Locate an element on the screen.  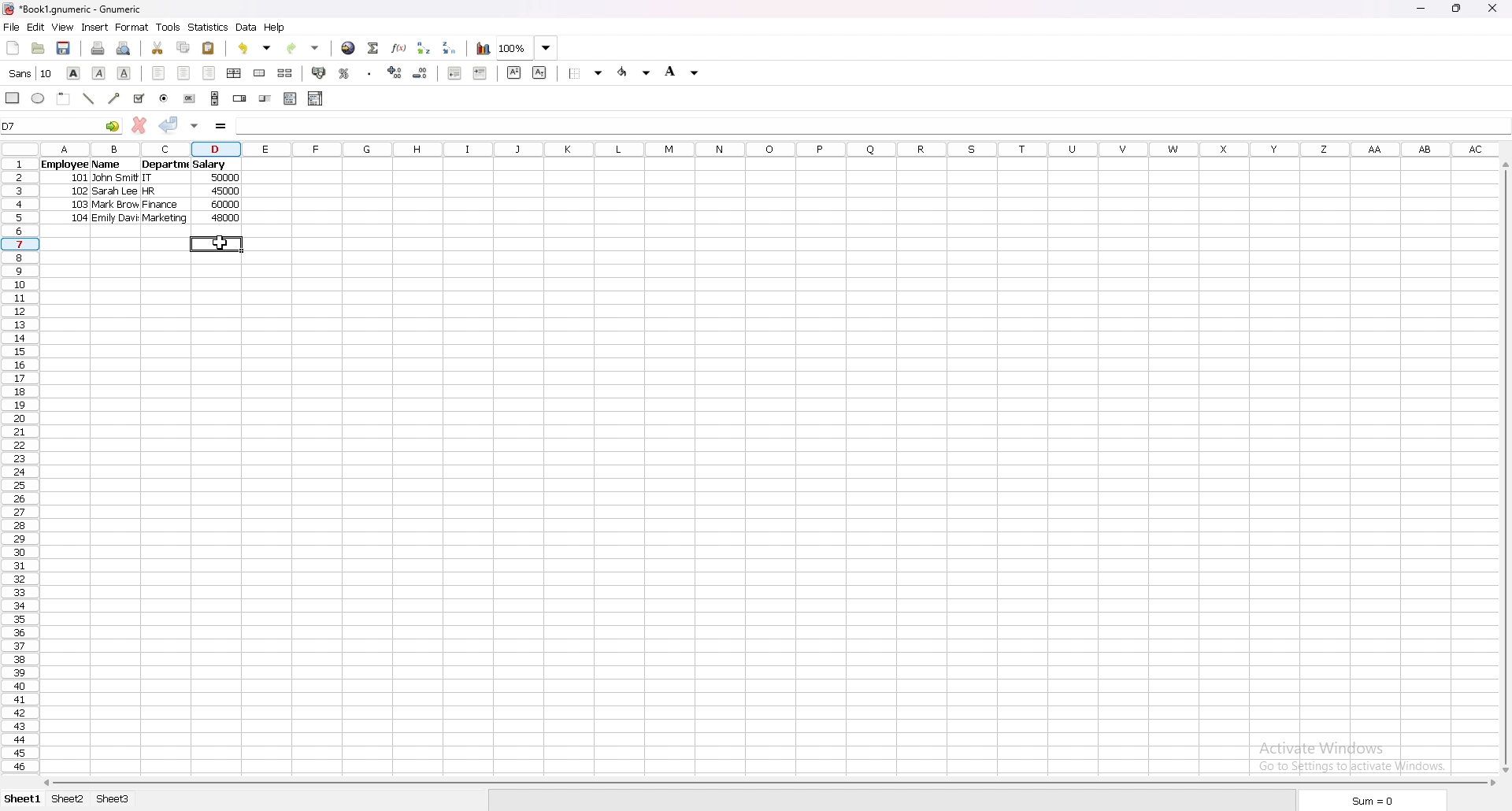
emily davi is located at coordinates (115, 219).